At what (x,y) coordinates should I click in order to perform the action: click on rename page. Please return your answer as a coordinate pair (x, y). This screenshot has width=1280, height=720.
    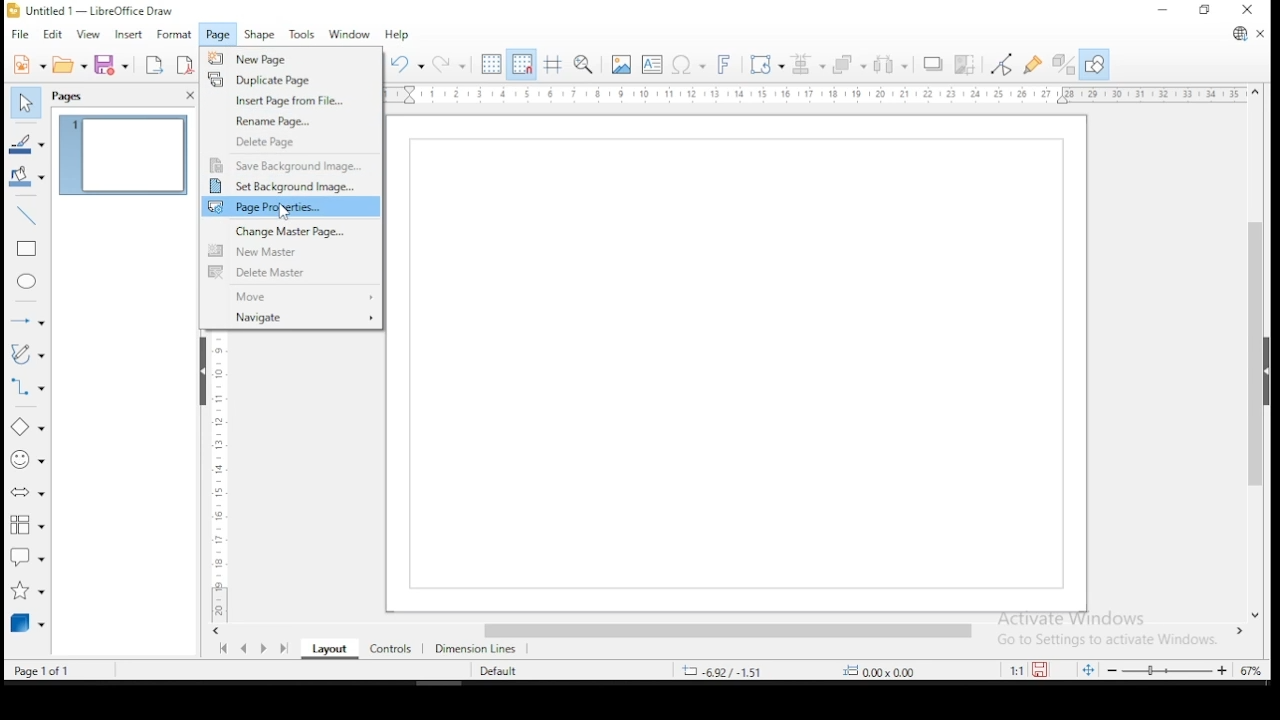
    Looking at the image, I should click on (292, 122).